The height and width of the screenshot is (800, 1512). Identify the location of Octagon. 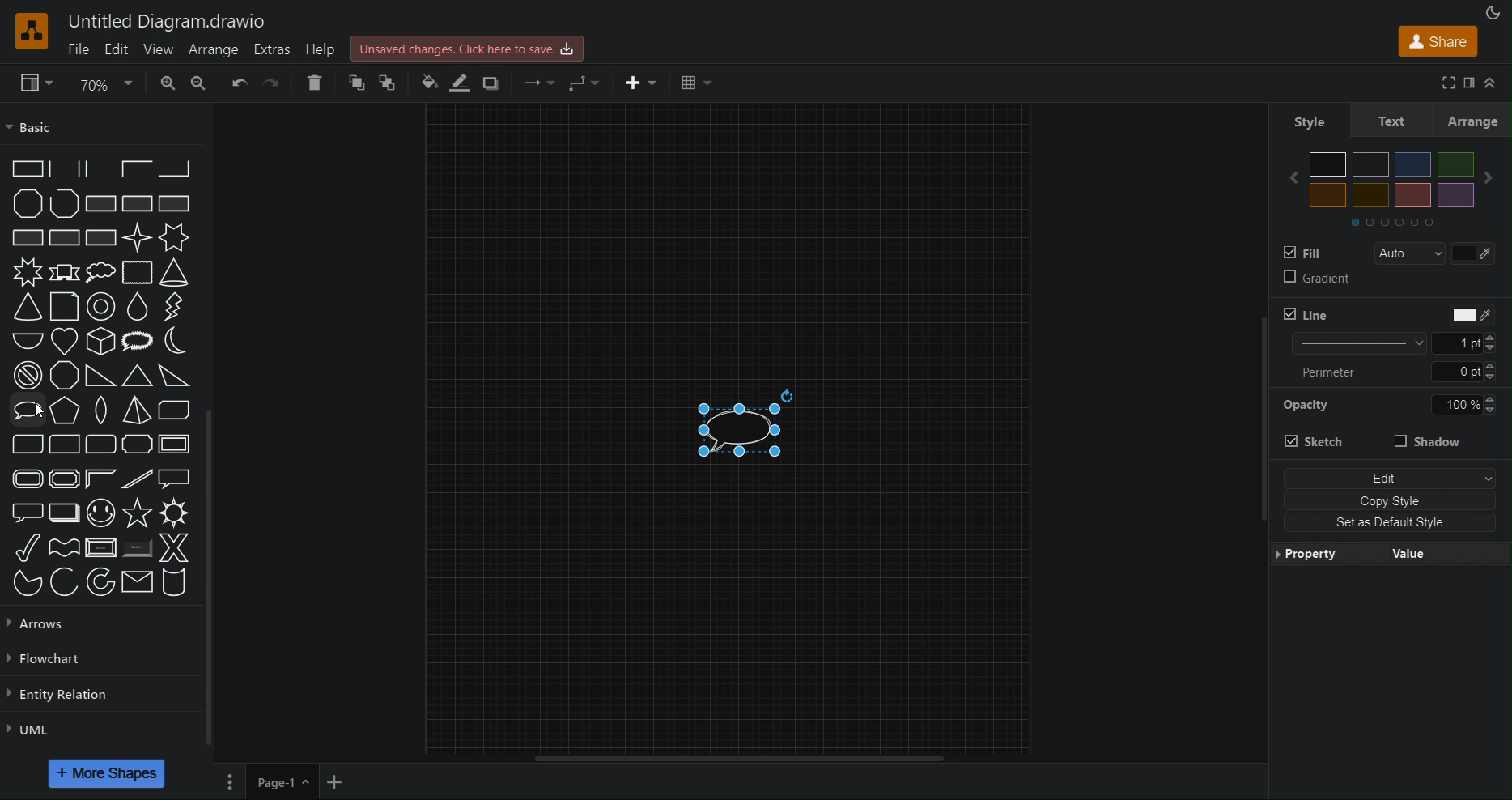
(63, 375).